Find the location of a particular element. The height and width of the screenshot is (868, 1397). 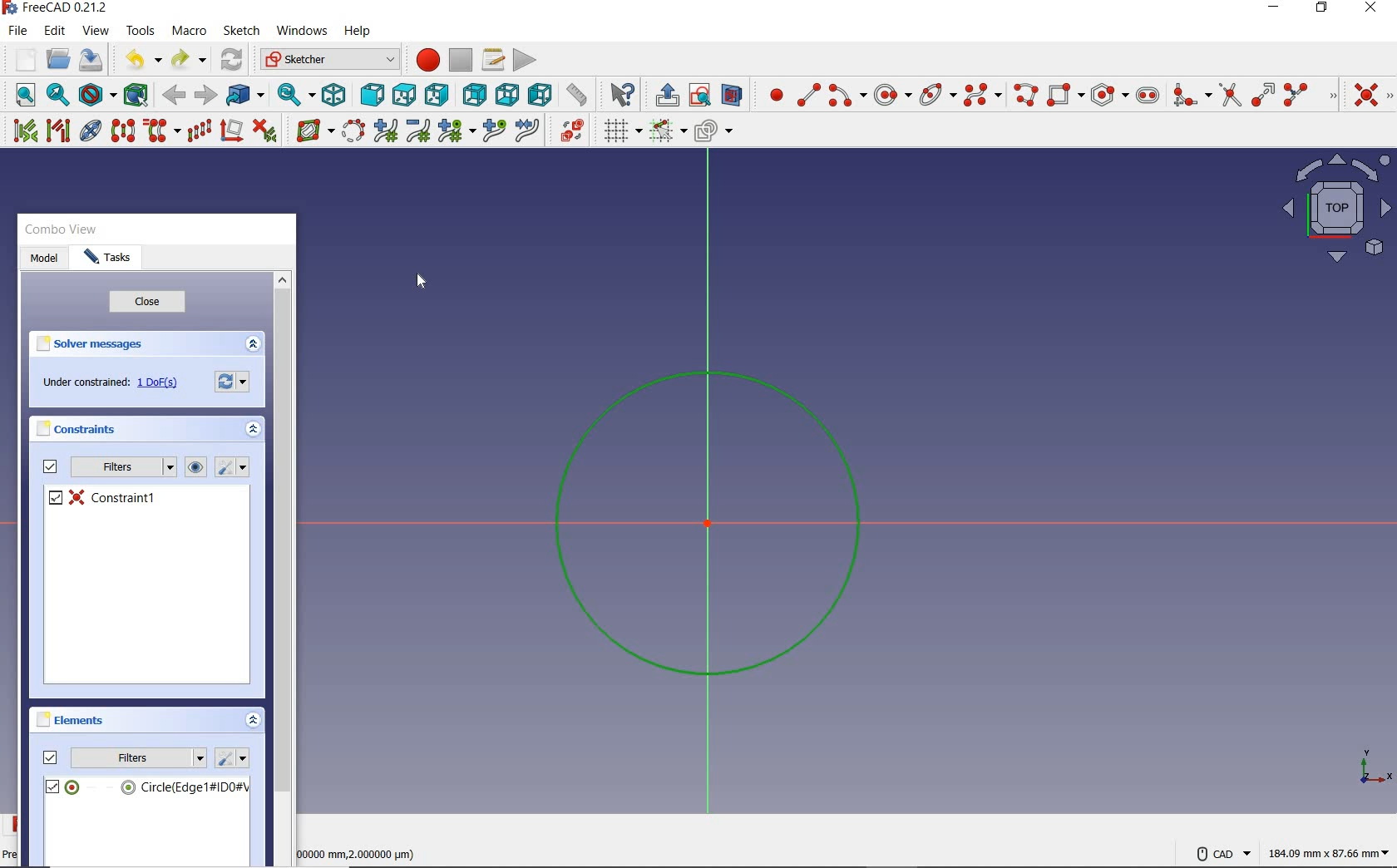

split edge is located at coordinates (1309, 95).